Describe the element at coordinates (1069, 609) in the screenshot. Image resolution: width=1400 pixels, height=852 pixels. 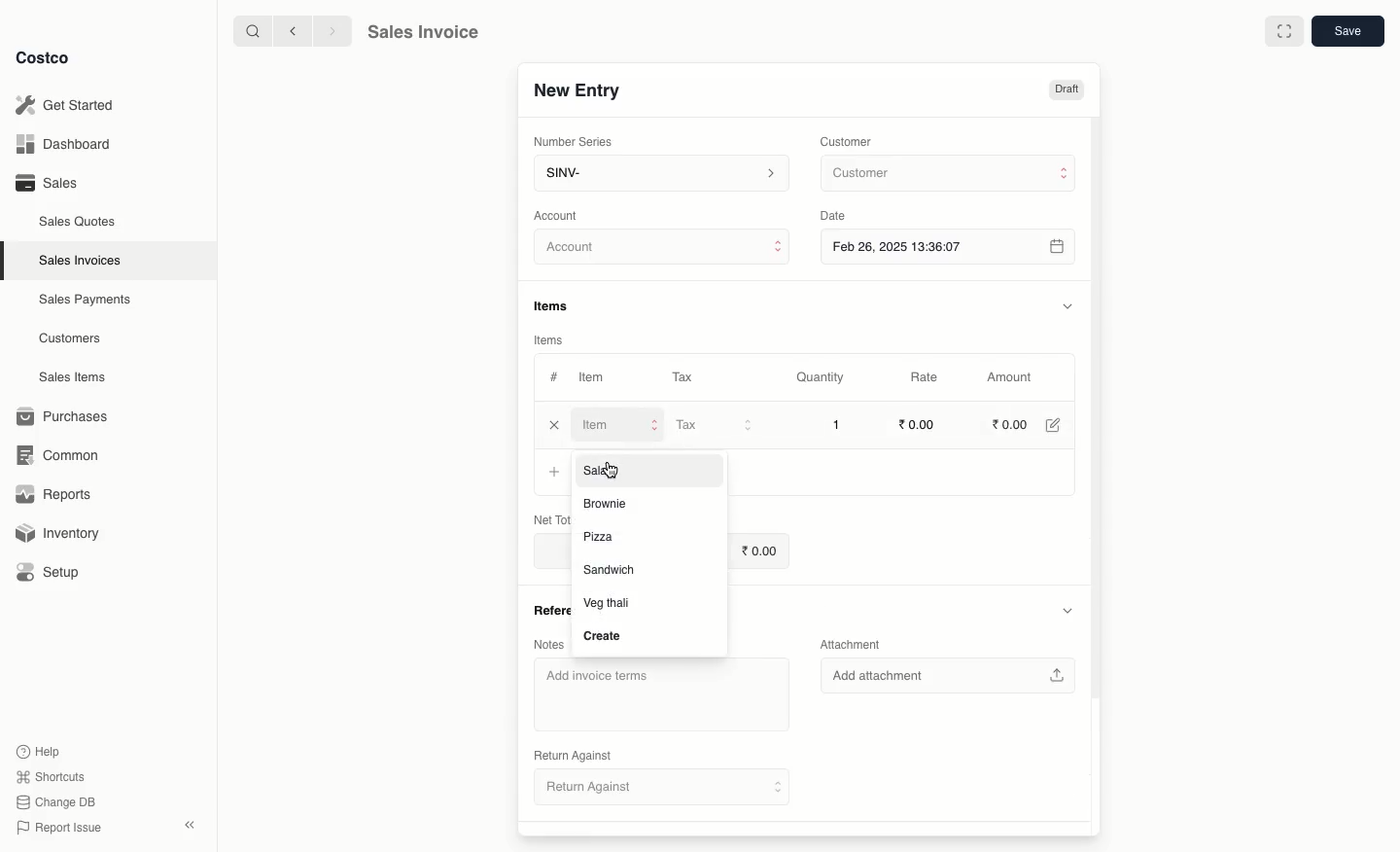
I see `Hide` at that location.